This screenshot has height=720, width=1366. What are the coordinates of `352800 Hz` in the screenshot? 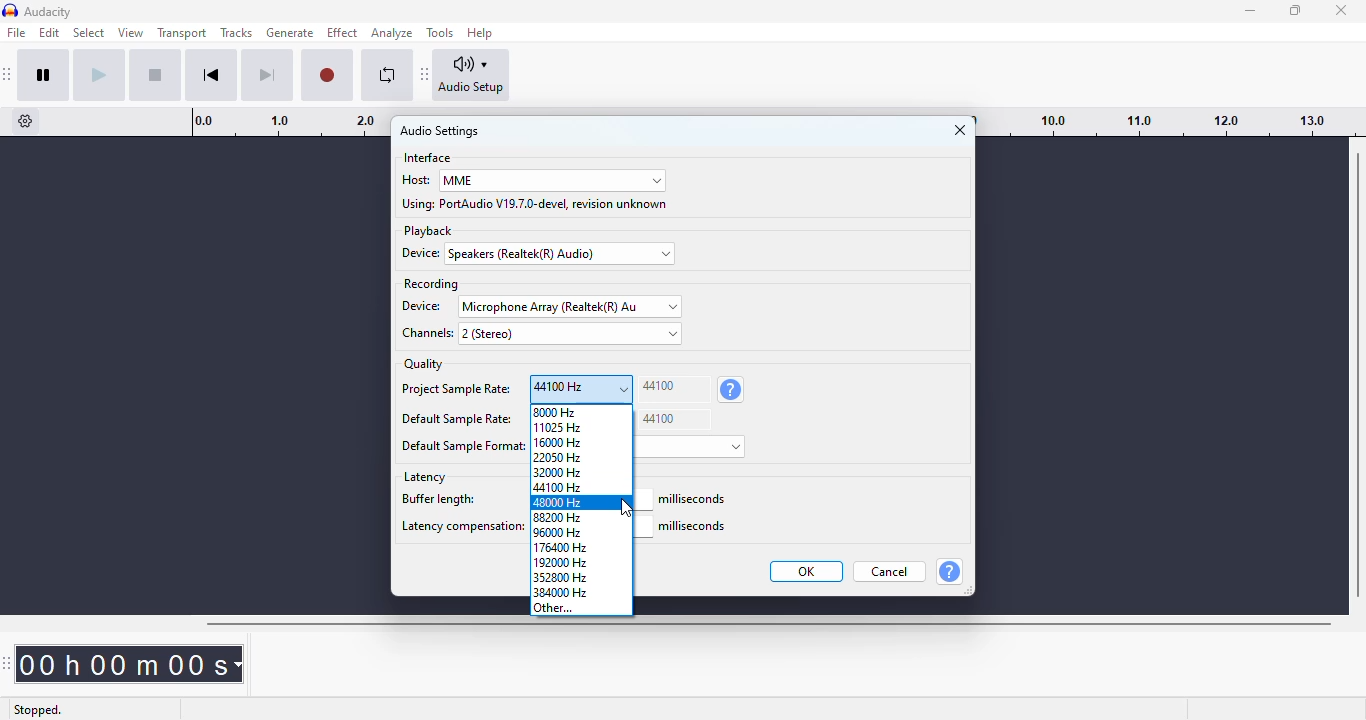 It's located at (582, 577).